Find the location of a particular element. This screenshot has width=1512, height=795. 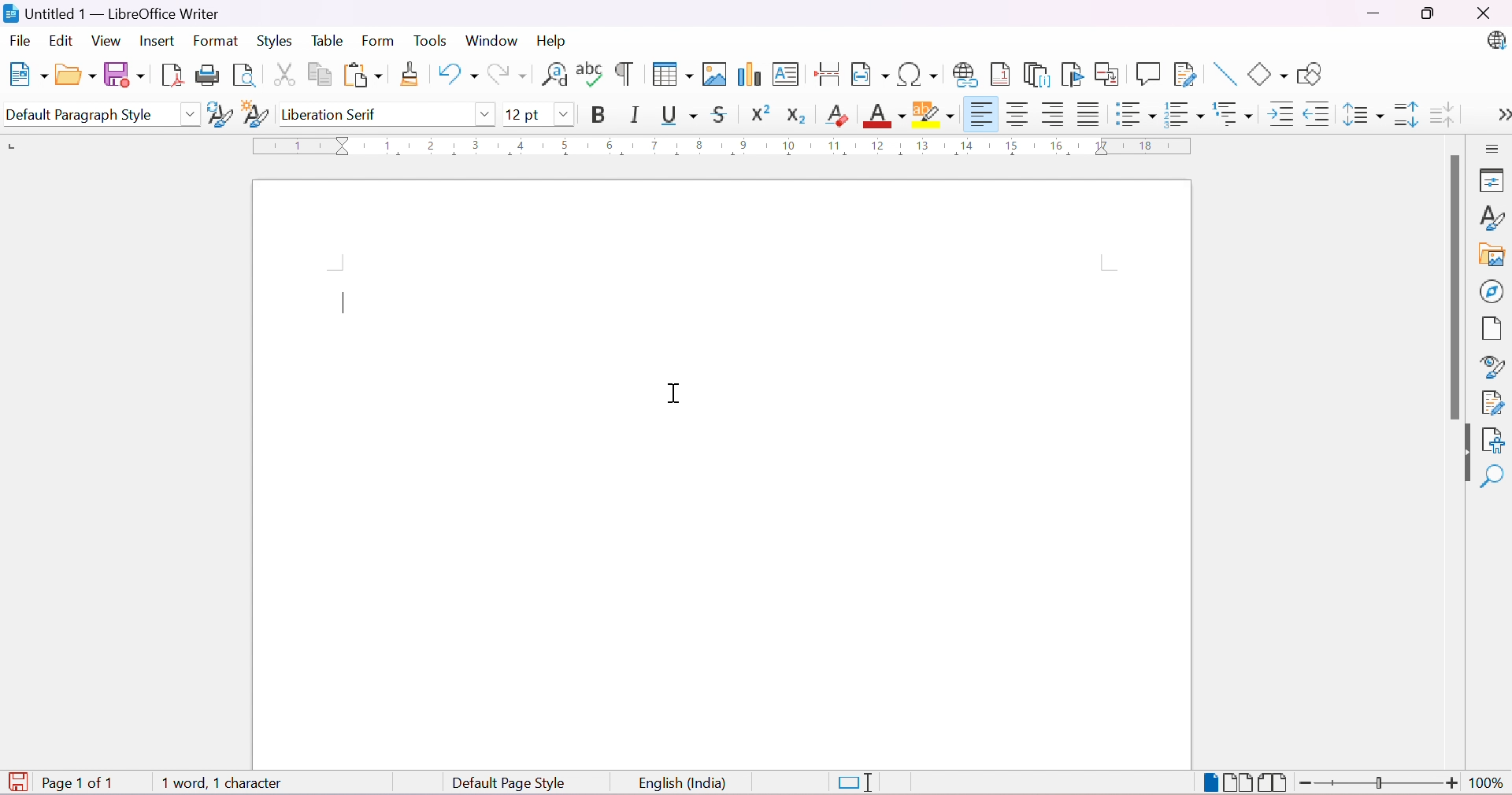

Italic is located at coordinates (635, 114).